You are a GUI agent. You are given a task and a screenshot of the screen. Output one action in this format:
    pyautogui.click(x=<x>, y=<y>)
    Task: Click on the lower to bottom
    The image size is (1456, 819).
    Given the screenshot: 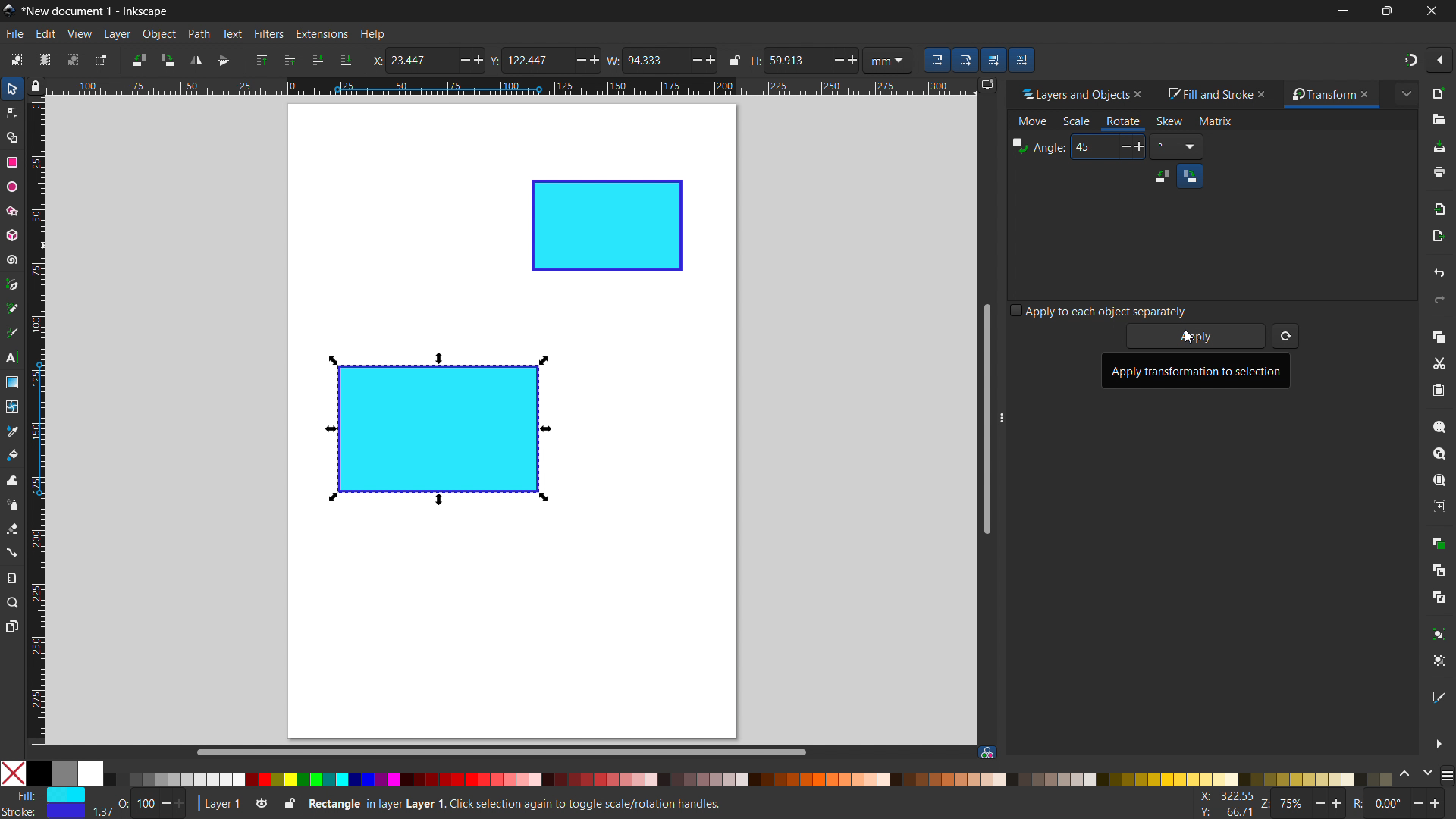 What is the action you would take?
    pyautogui.click(x=346, y=61)
    